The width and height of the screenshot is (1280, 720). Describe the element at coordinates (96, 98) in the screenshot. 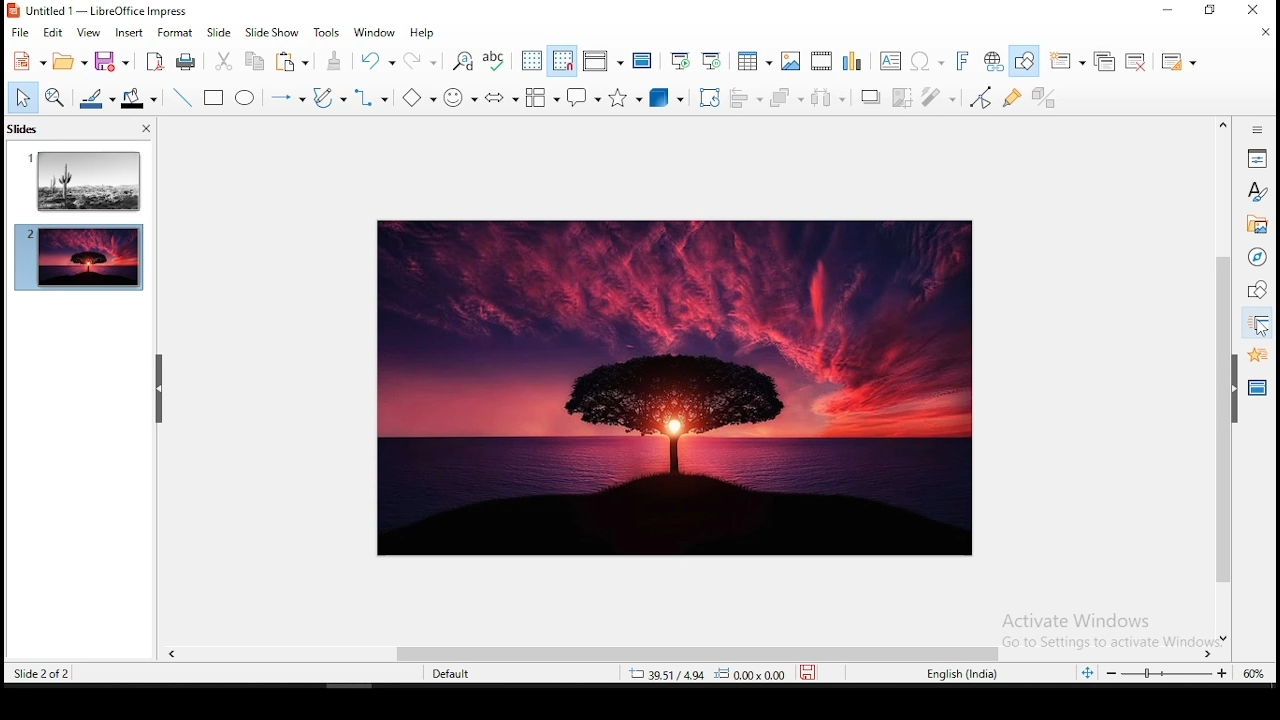

I see `line color` at that location.